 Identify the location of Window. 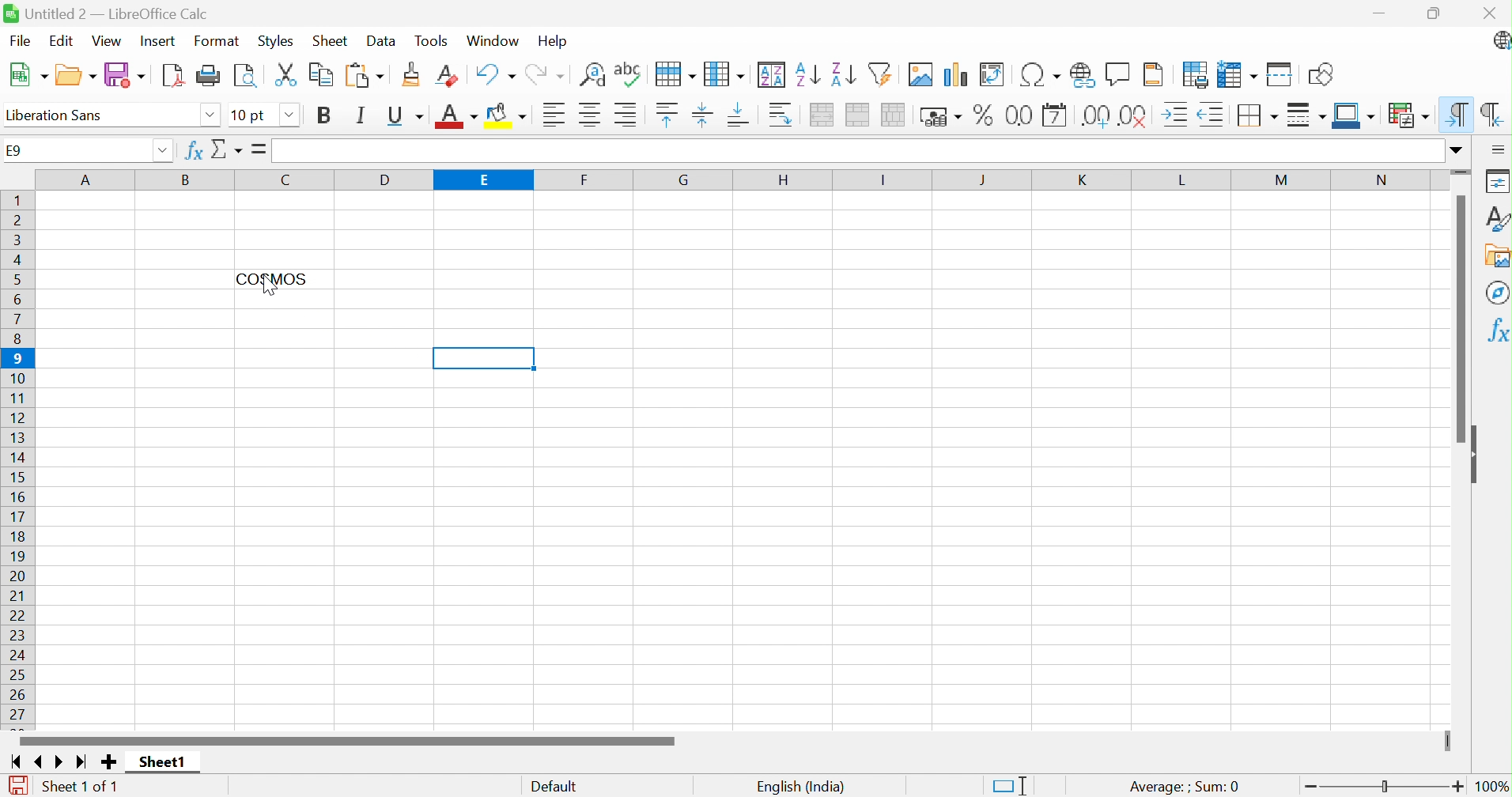
(494, 40).